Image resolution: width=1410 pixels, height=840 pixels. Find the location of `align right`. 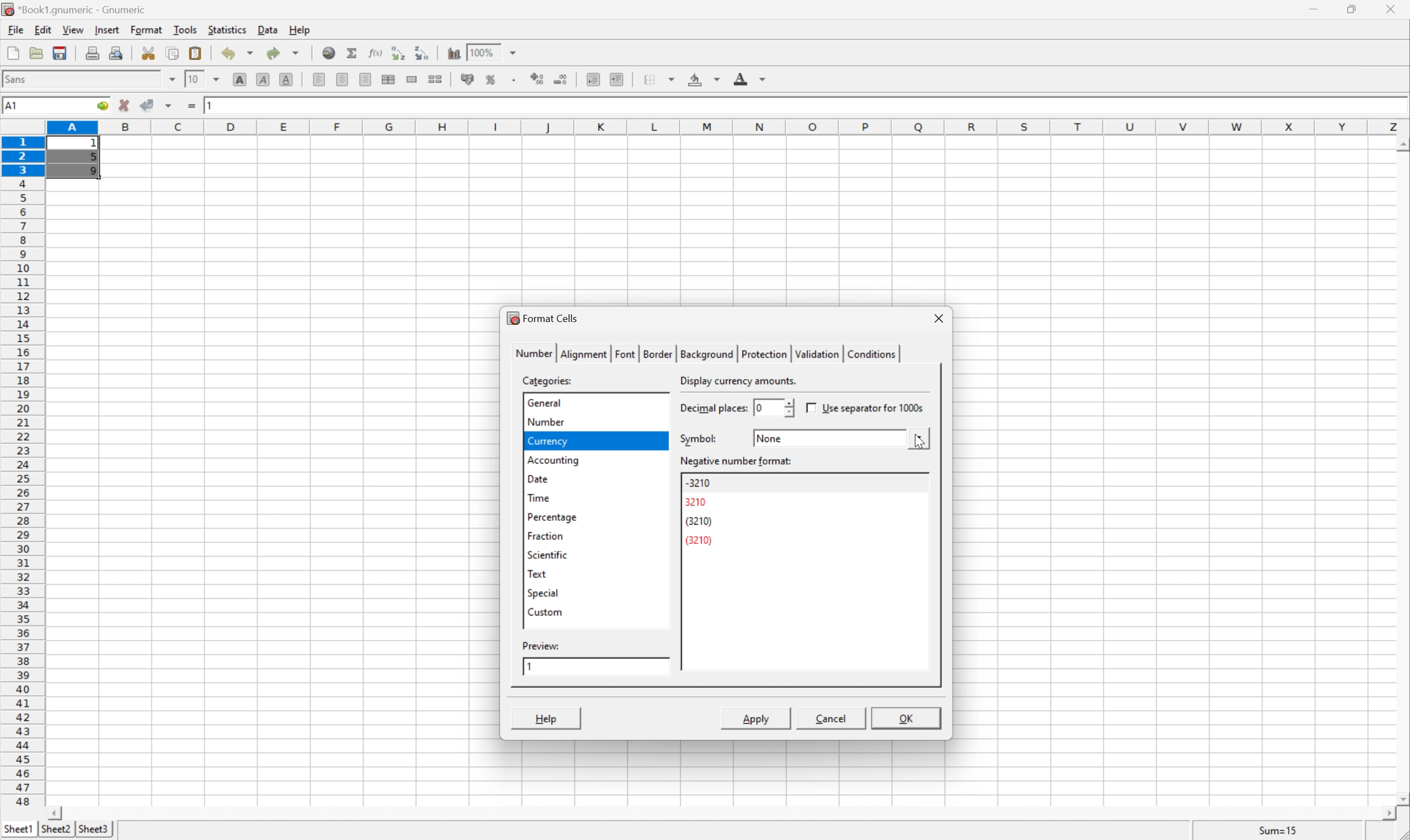

align right is located at coordinates (367, 79).